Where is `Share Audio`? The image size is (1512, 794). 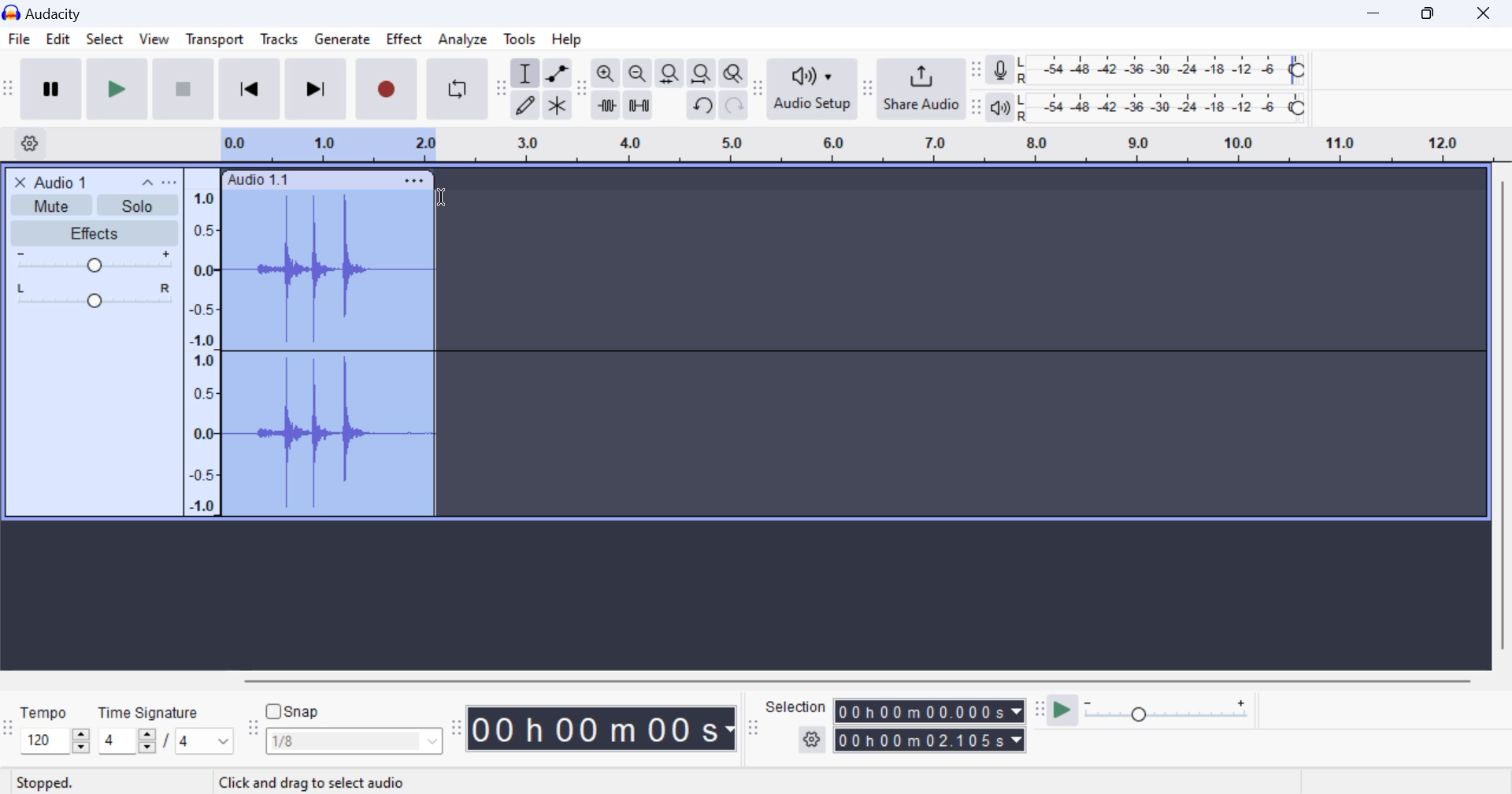
Share Audio is located at coordinates (921, 88).